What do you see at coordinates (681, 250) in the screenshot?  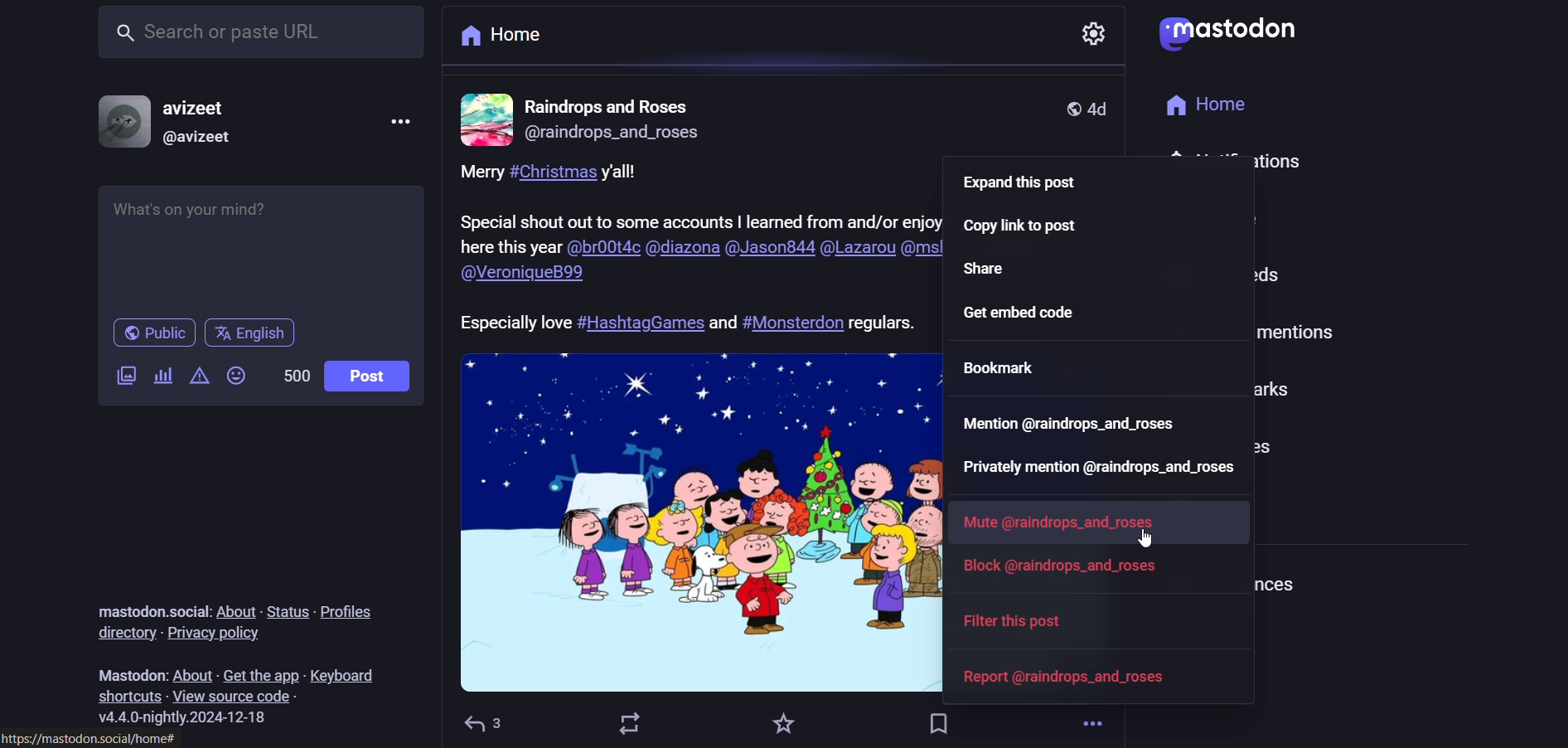 I see `@diazona` at bounding box center [681, 250].